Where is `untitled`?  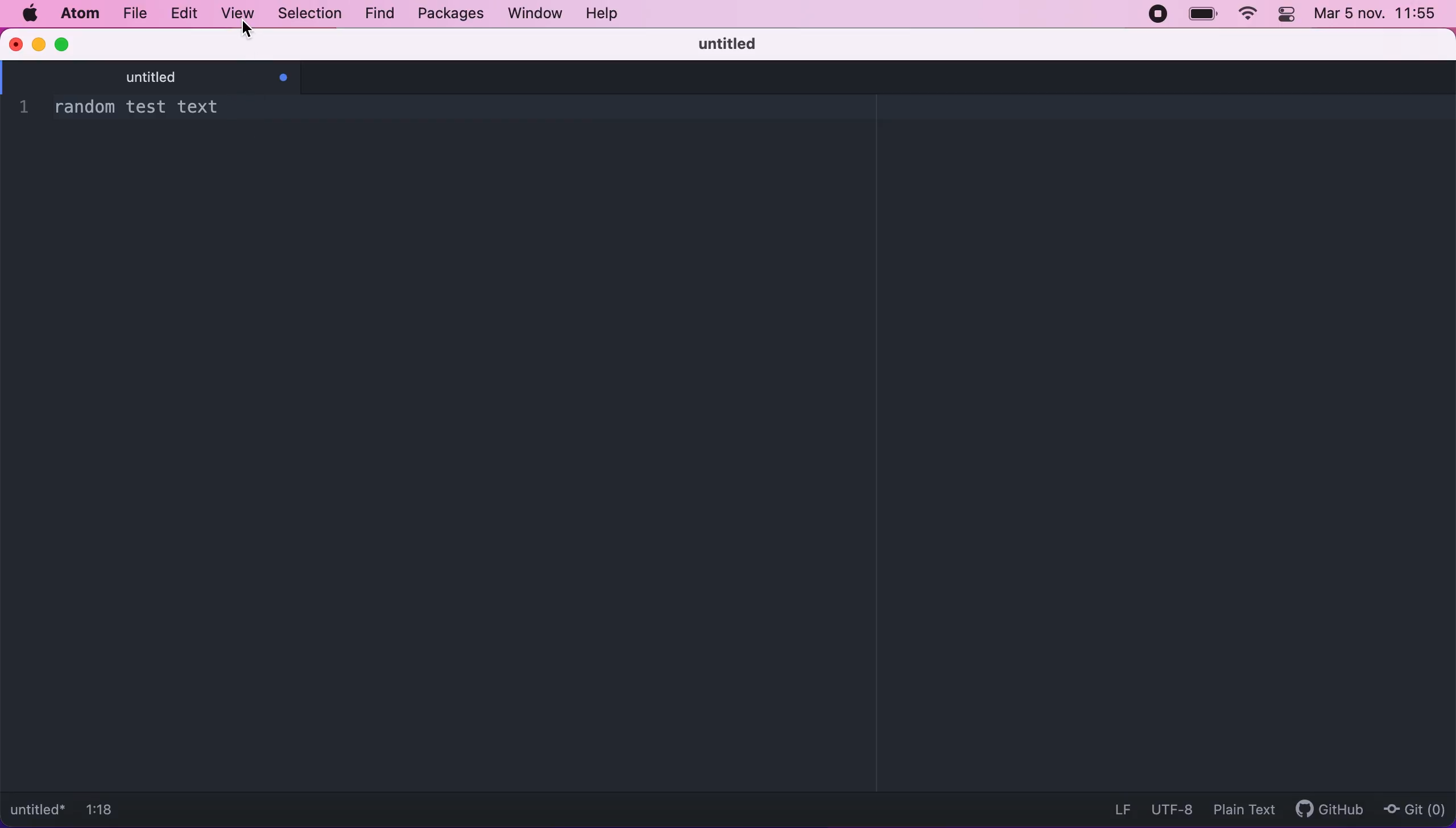 untitled is located at coordinates (174, 77).